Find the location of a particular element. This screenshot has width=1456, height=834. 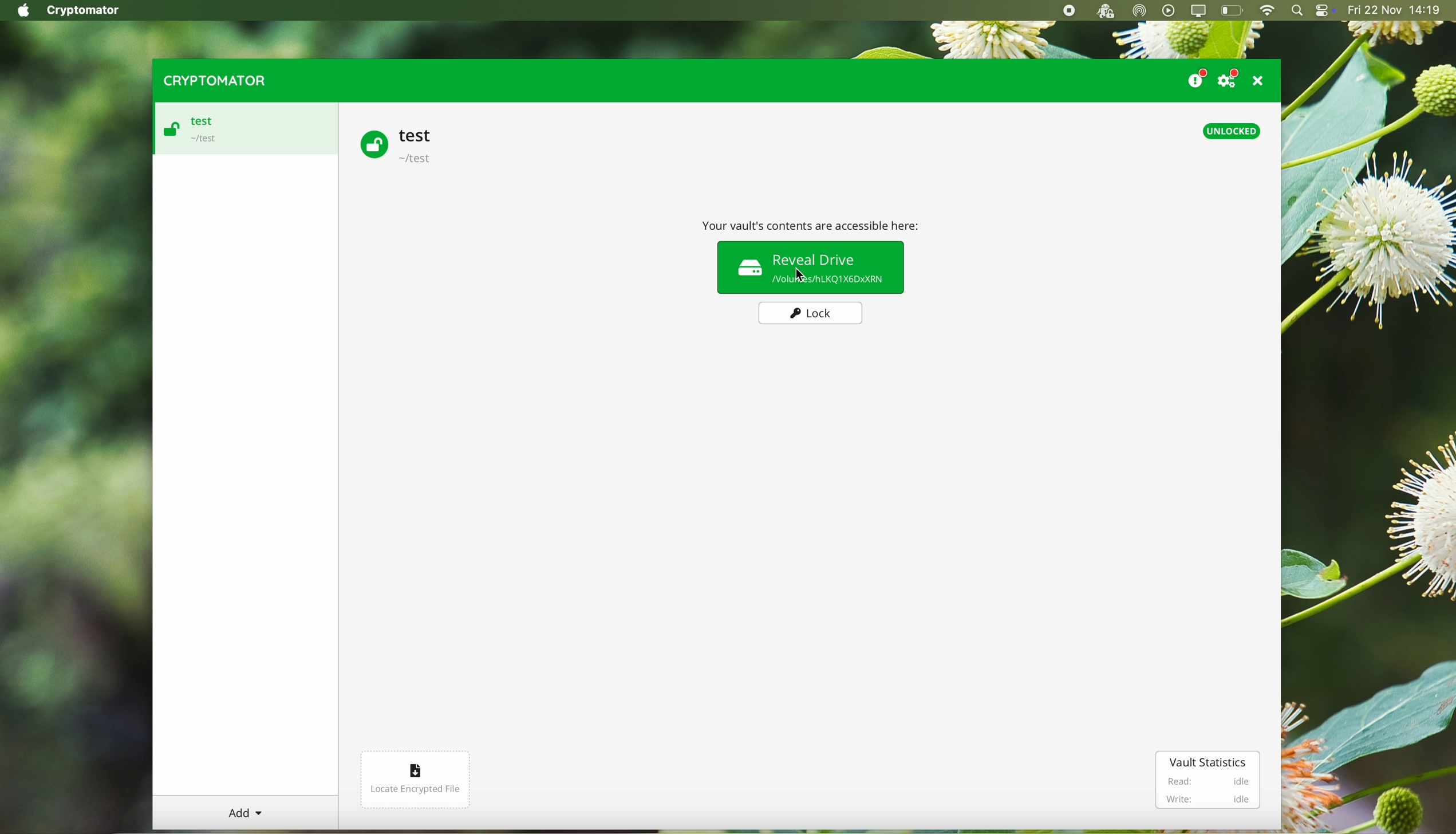

test vault unlocked is located at coordinates (244, 128).